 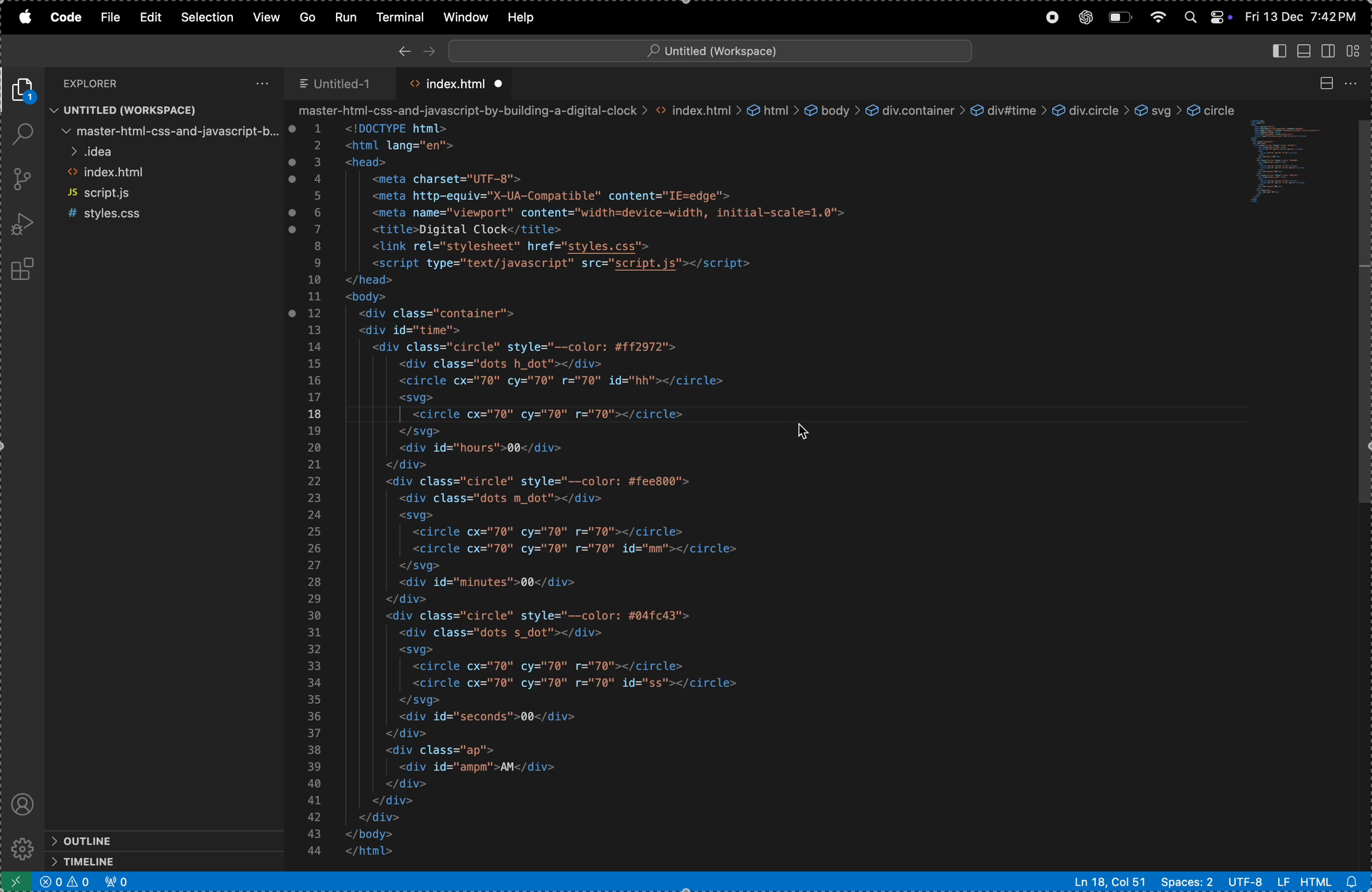 I want to click on Edit, so click(x=149, y=17).